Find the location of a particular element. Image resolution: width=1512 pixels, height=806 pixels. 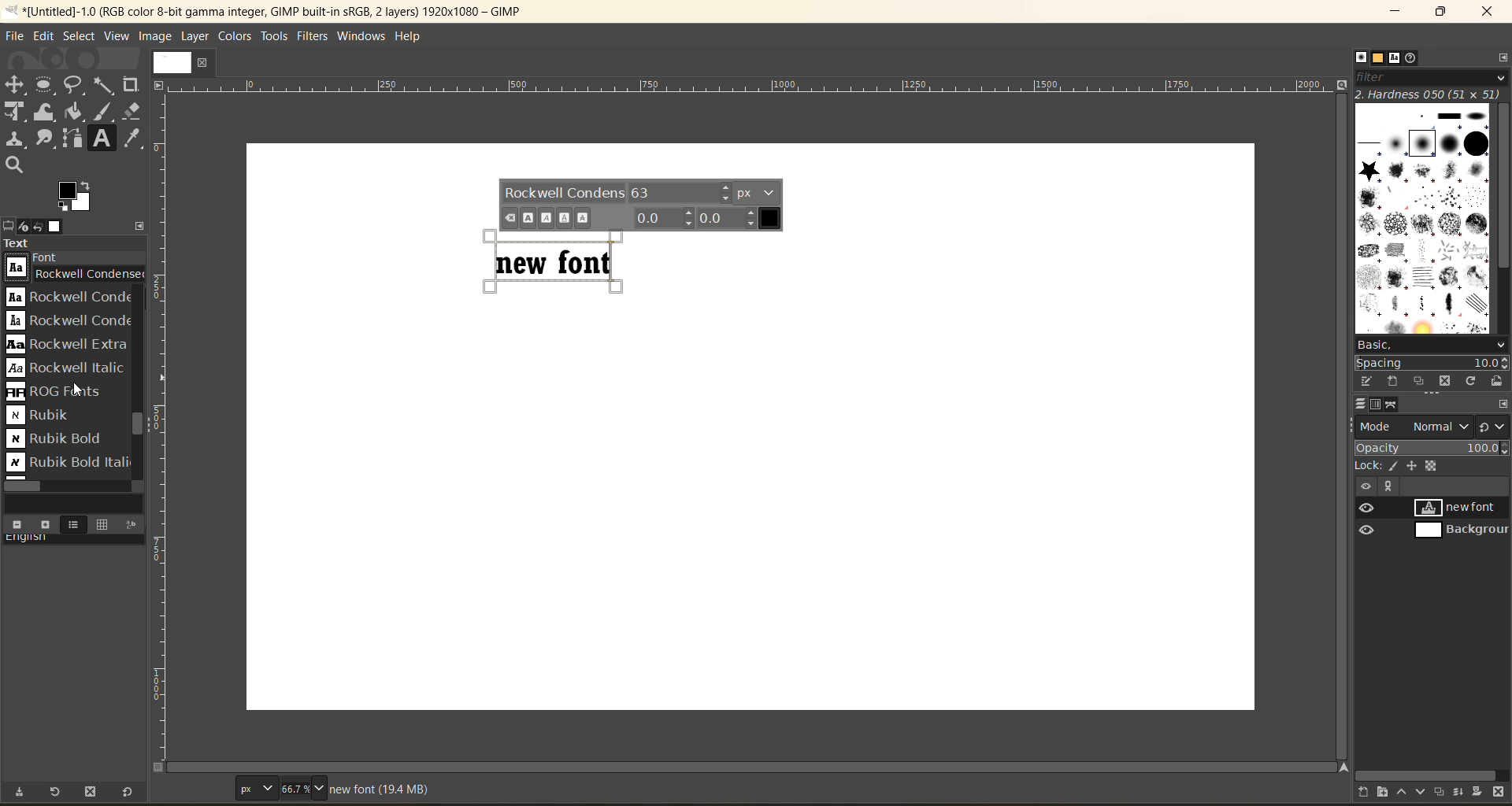

document history is located at coordinates (1412, 57).